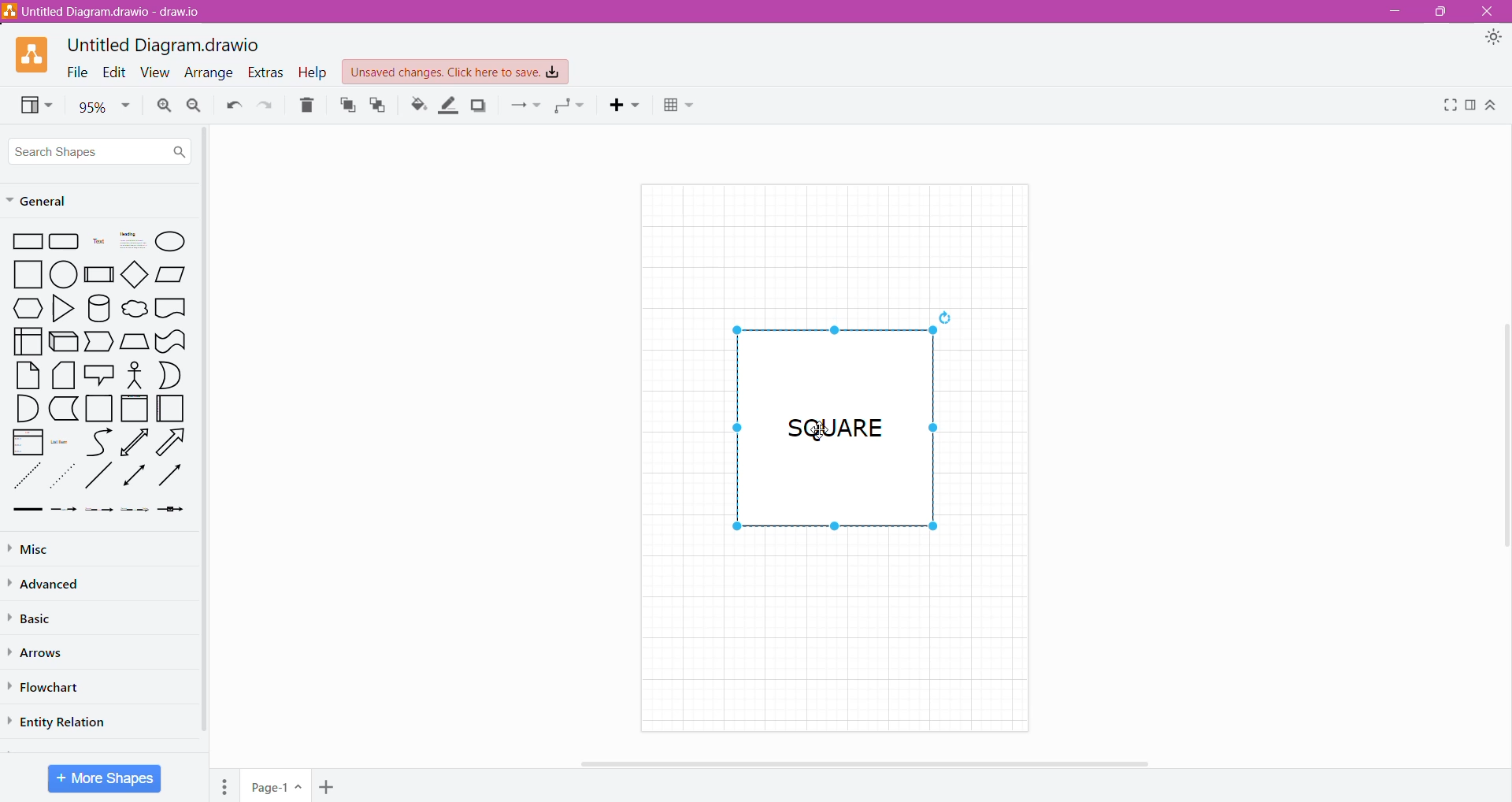  What do you see at coordinates (63, 376) in the screenshot?
I see `Stacked Papers` at bounding box center [63, 376].